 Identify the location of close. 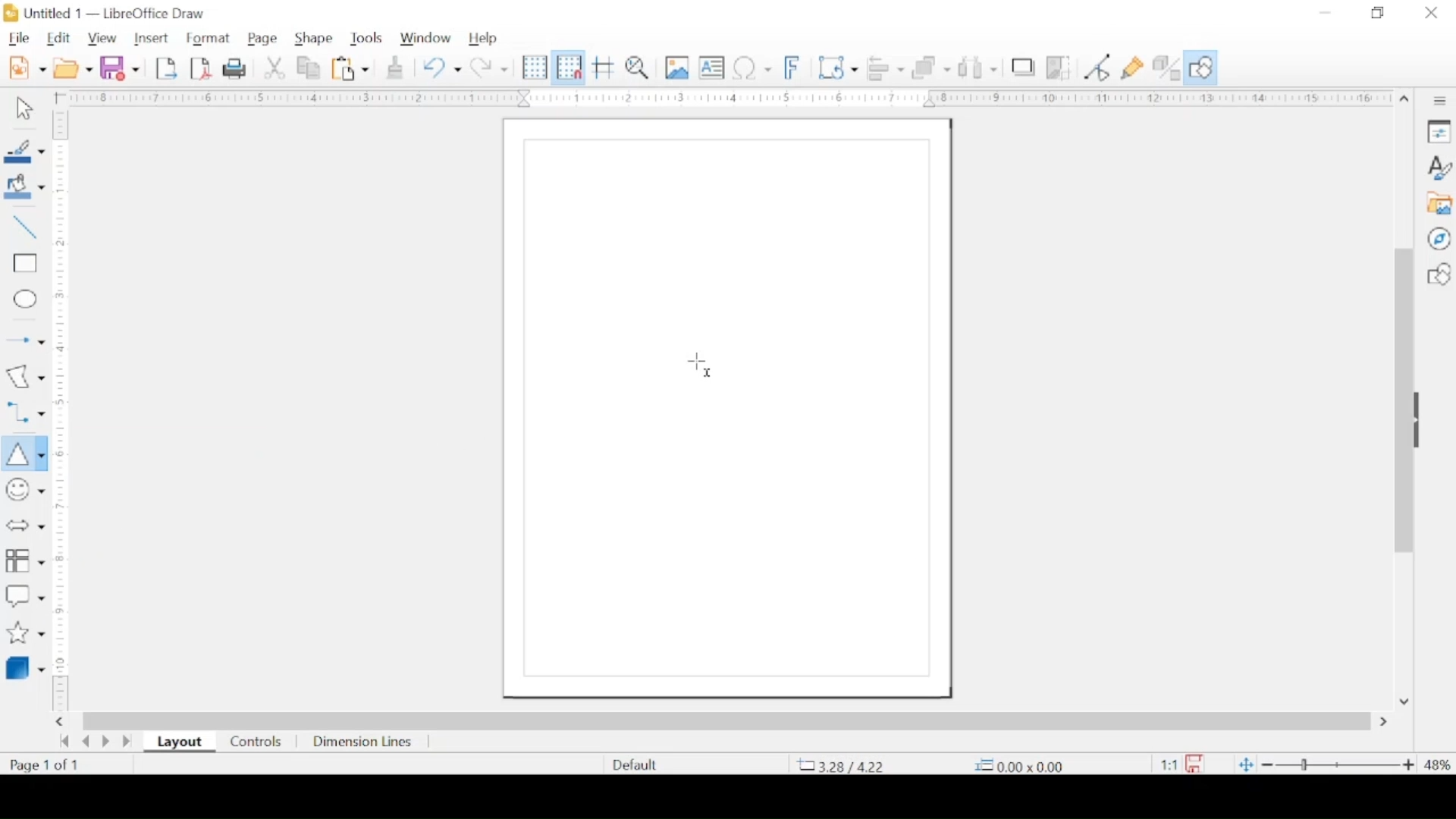
(1432, 13).